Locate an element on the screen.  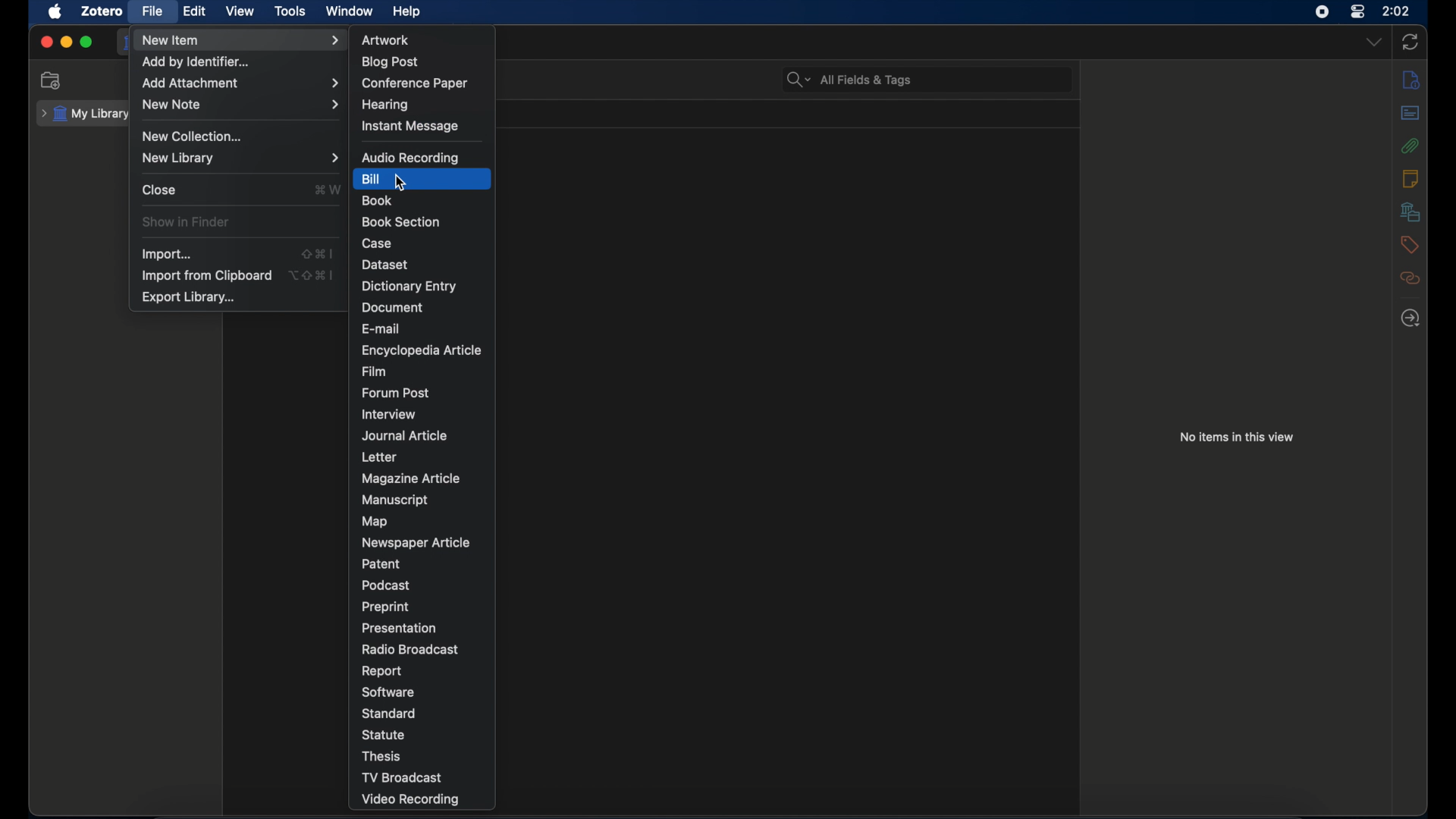
attachments is located at coordinates (1410, 146).